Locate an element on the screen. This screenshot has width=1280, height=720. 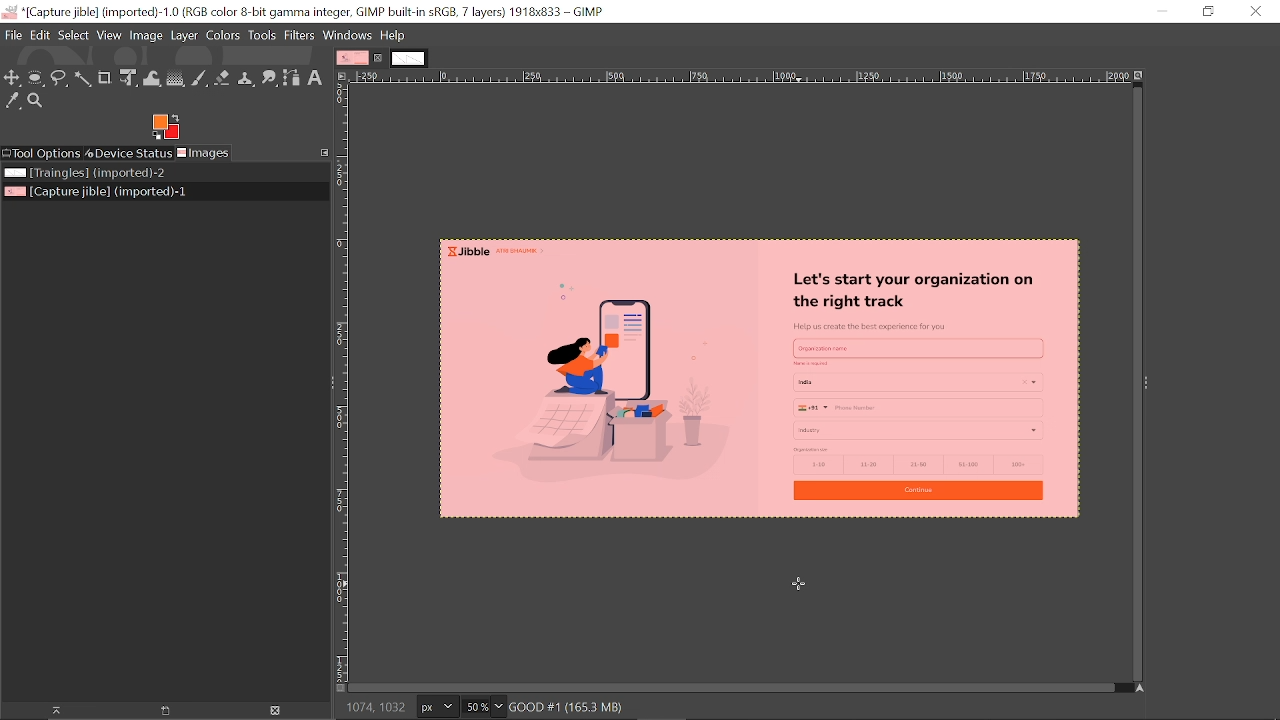
Device status is located at coordinates (127, 154).